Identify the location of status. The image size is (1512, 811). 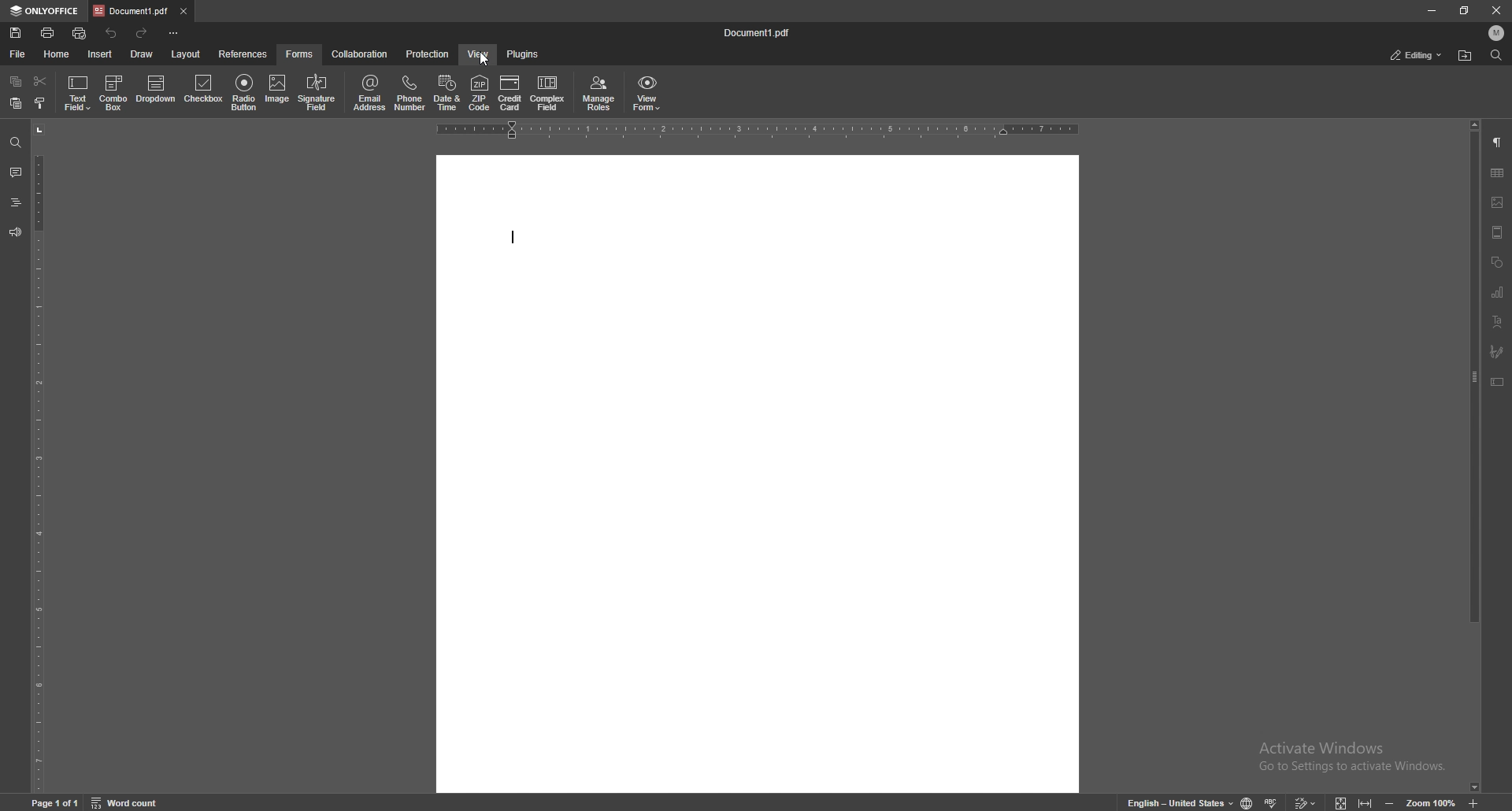
(1417, 55).